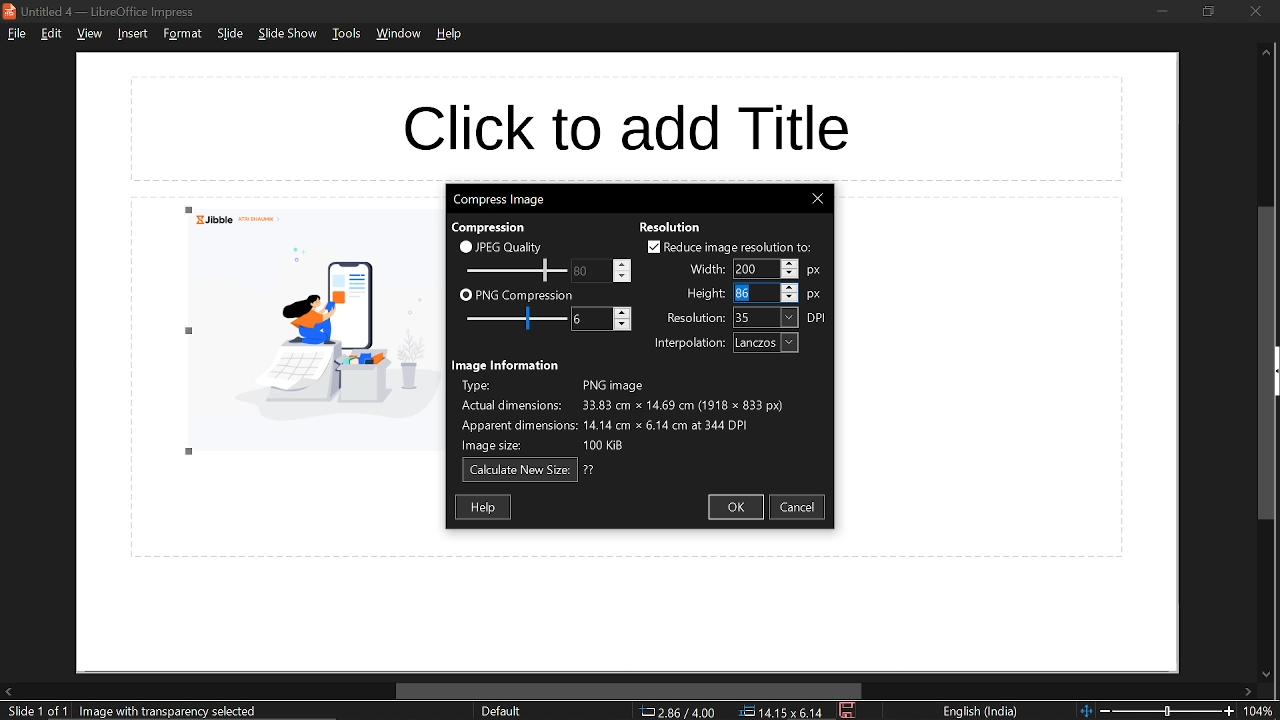 This screenshot has width=1280, height=720. Describe the element at coordinates (815, 271) in the screenshot. I see `width unit: px` at that location.